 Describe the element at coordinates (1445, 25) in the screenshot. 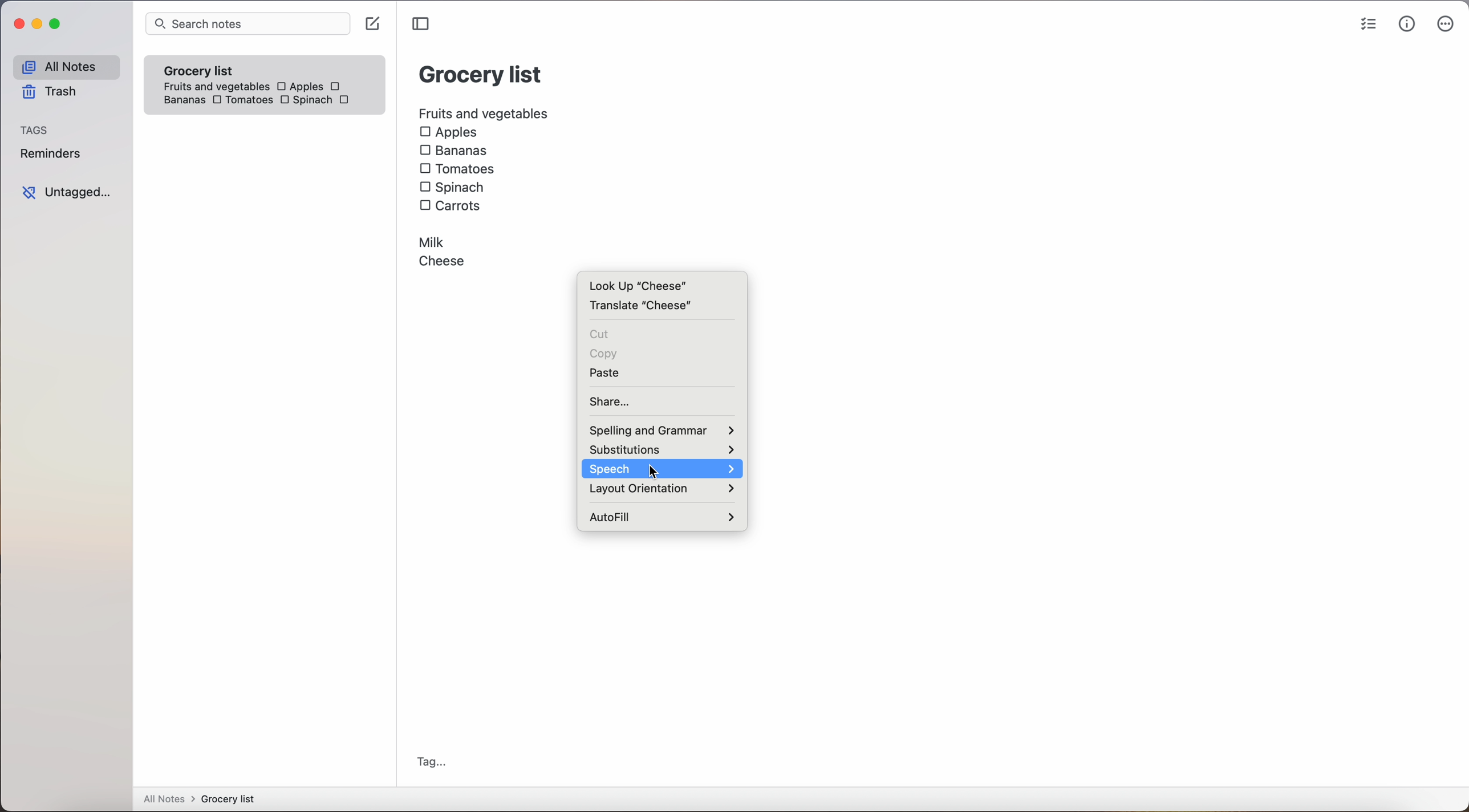

I see `more options` at that location.